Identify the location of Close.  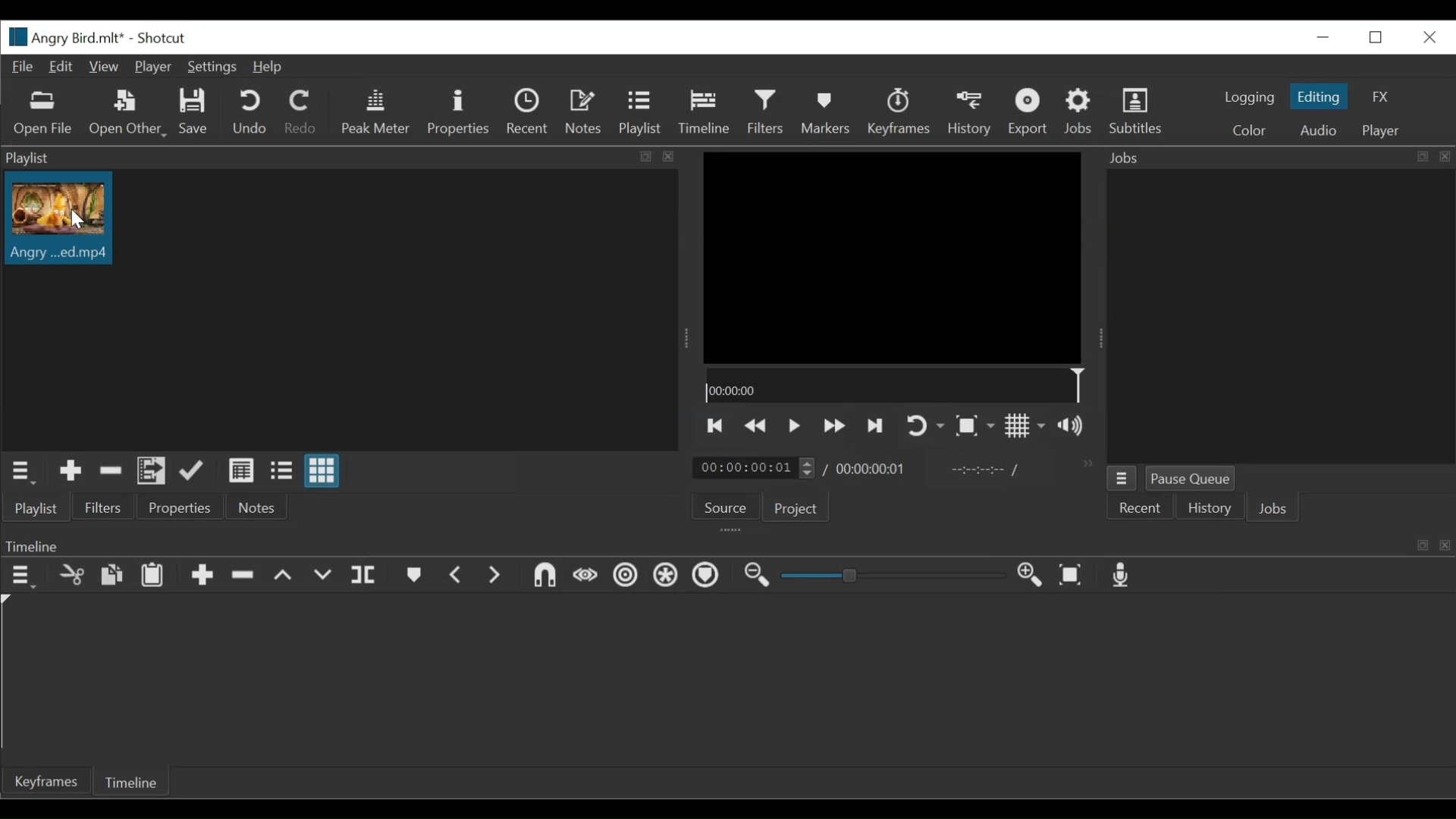
(1325, 37).